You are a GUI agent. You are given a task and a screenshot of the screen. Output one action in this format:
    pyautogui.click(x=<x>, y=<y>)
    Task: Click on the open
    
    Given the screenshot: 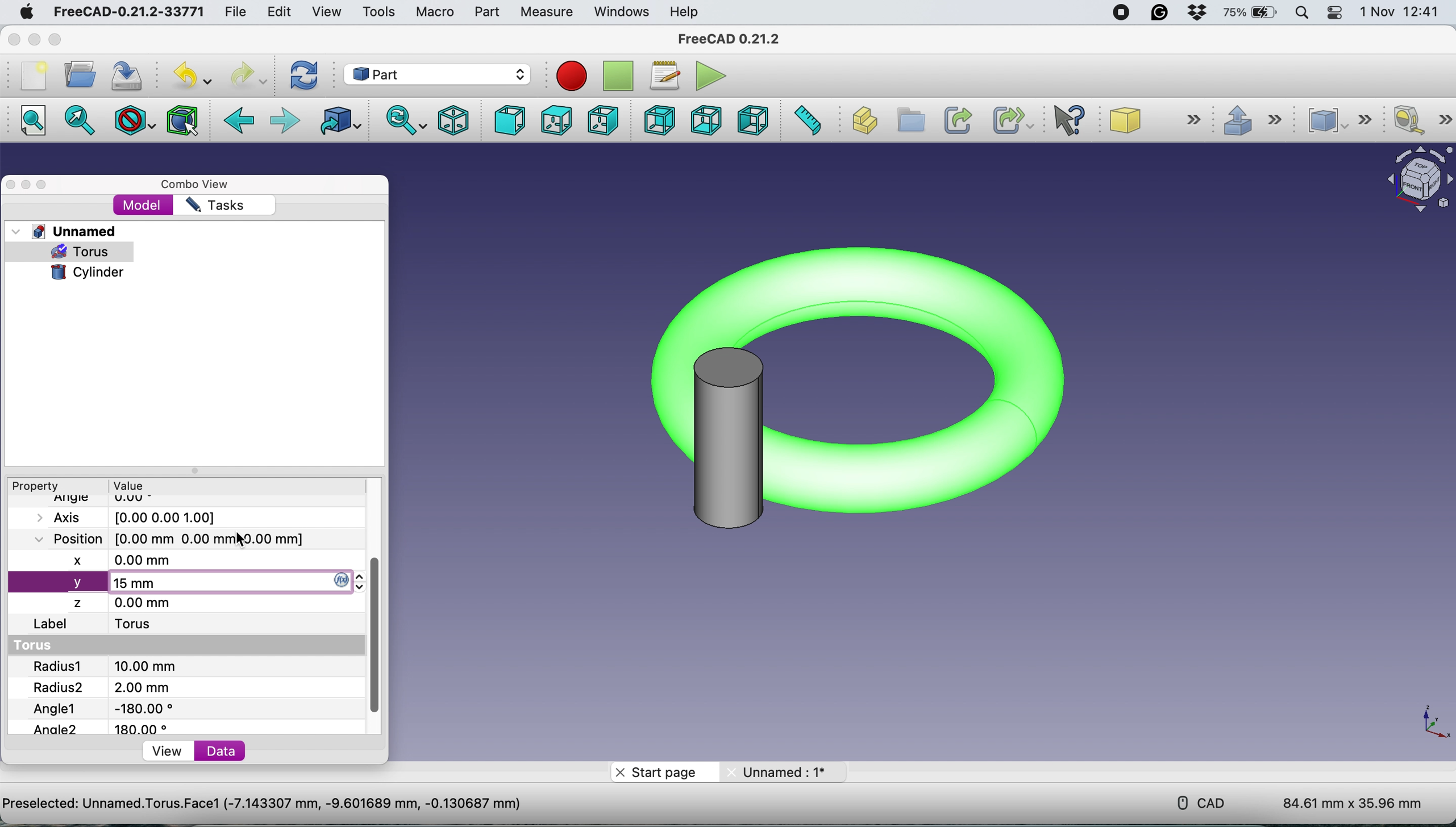 What is the action you would take?
    pyautogui.click(x=77, y=75)
    